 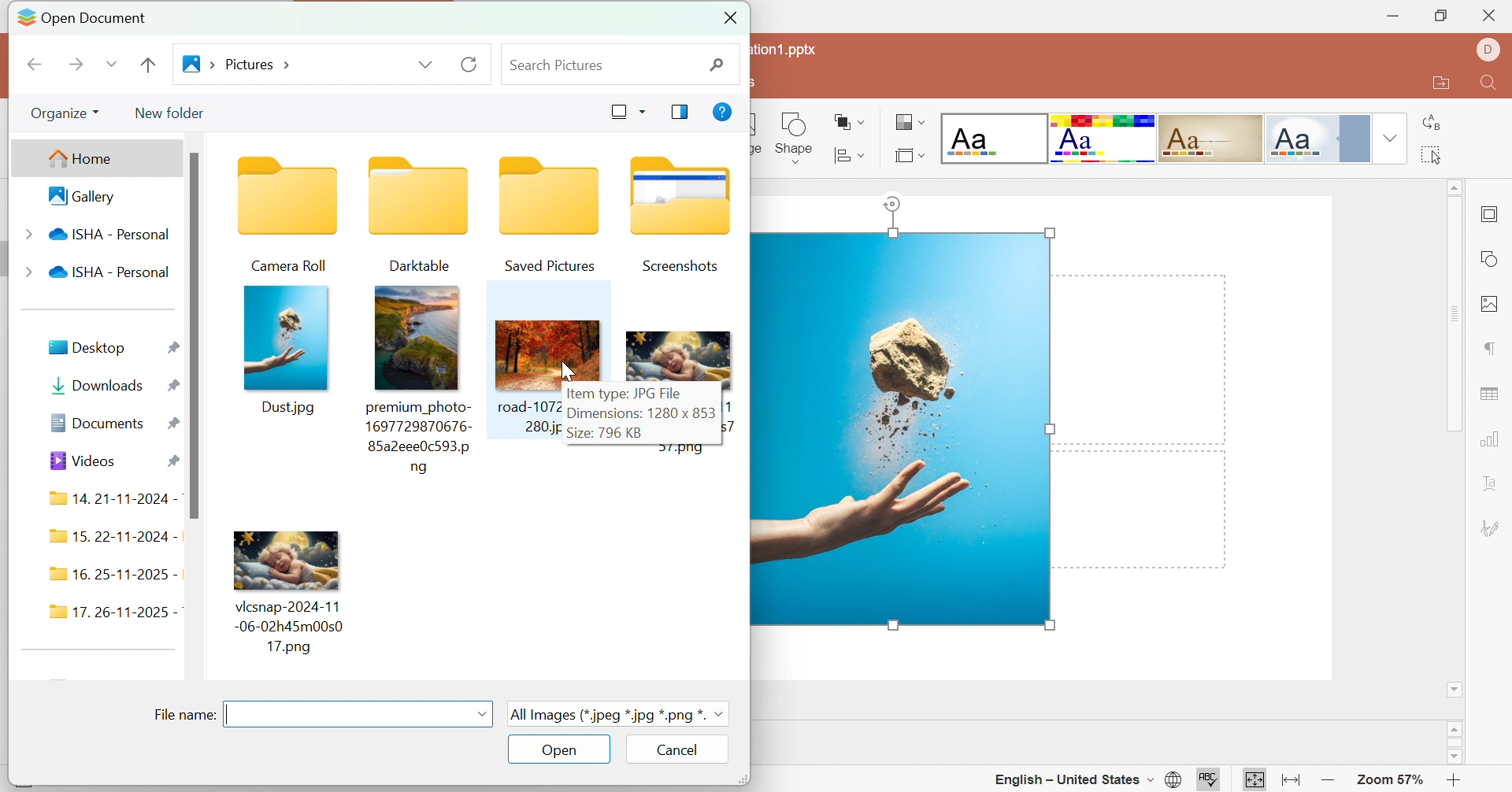 I want to click on scroll down, so click(x=1454, y=758).